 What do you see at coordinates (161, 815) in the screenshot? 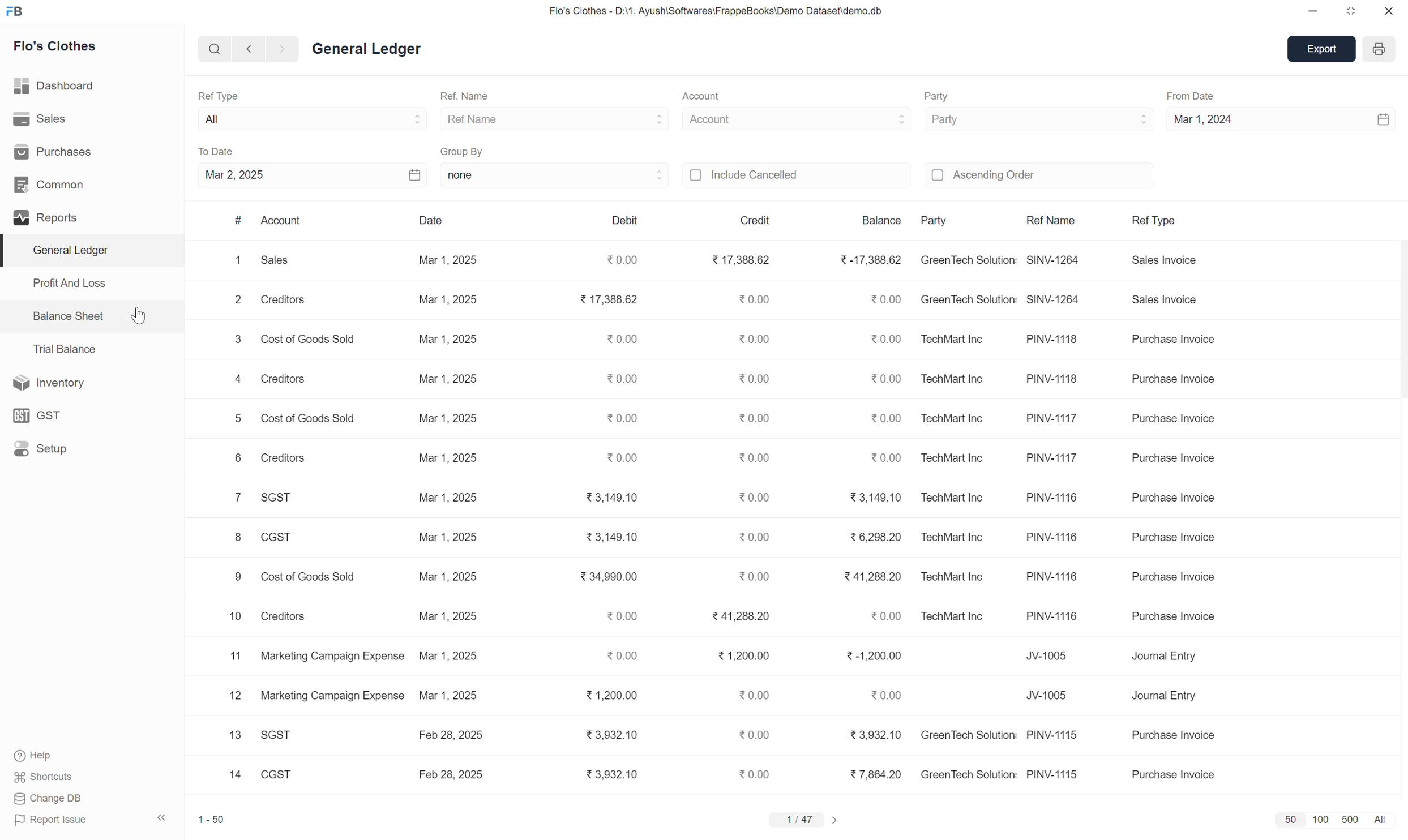
I see `expand` at bounding box center [161, 815].